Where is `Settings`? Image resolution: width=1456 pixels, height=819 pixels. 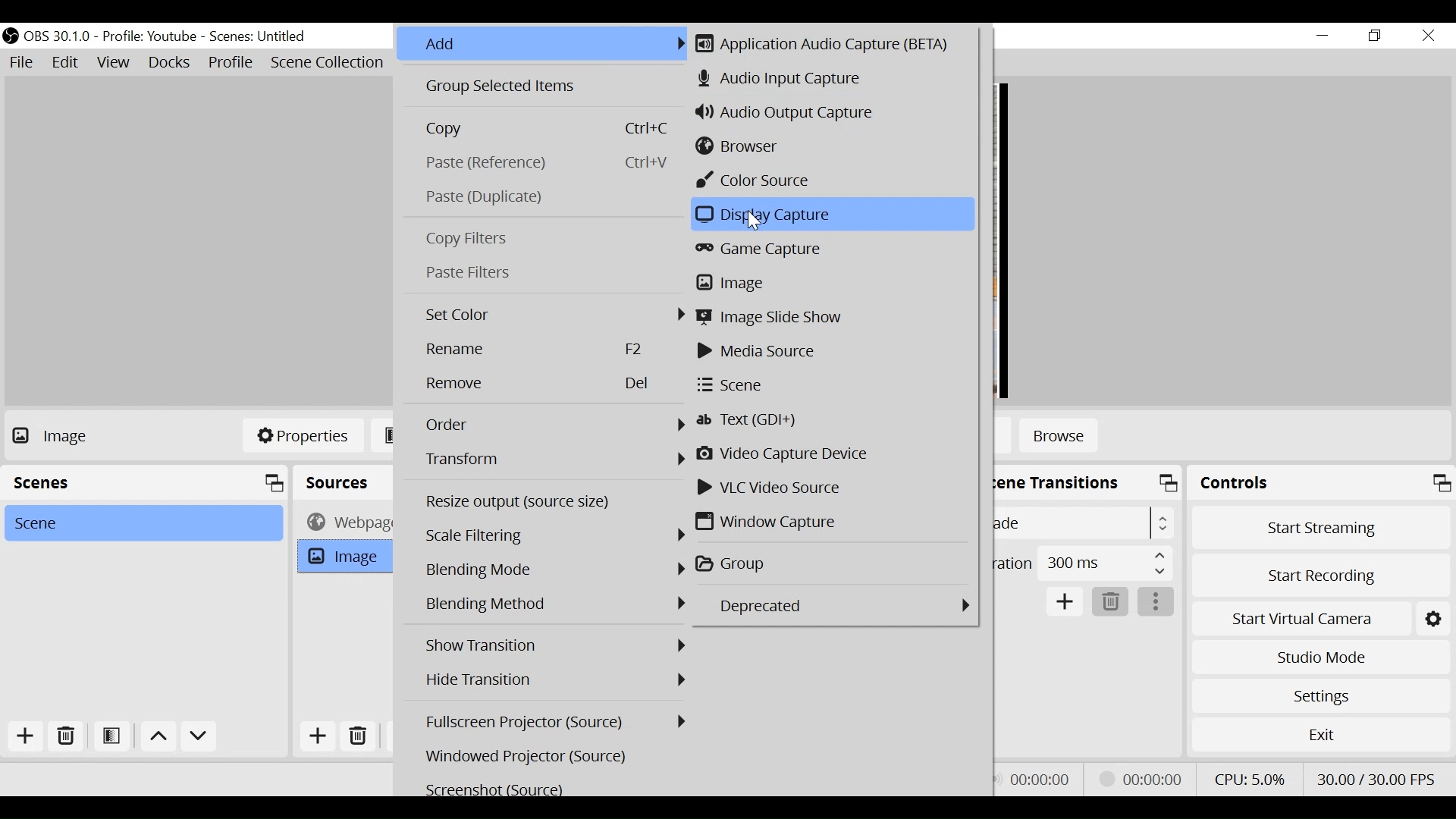 Settings is located at coordinates (1432, 620).